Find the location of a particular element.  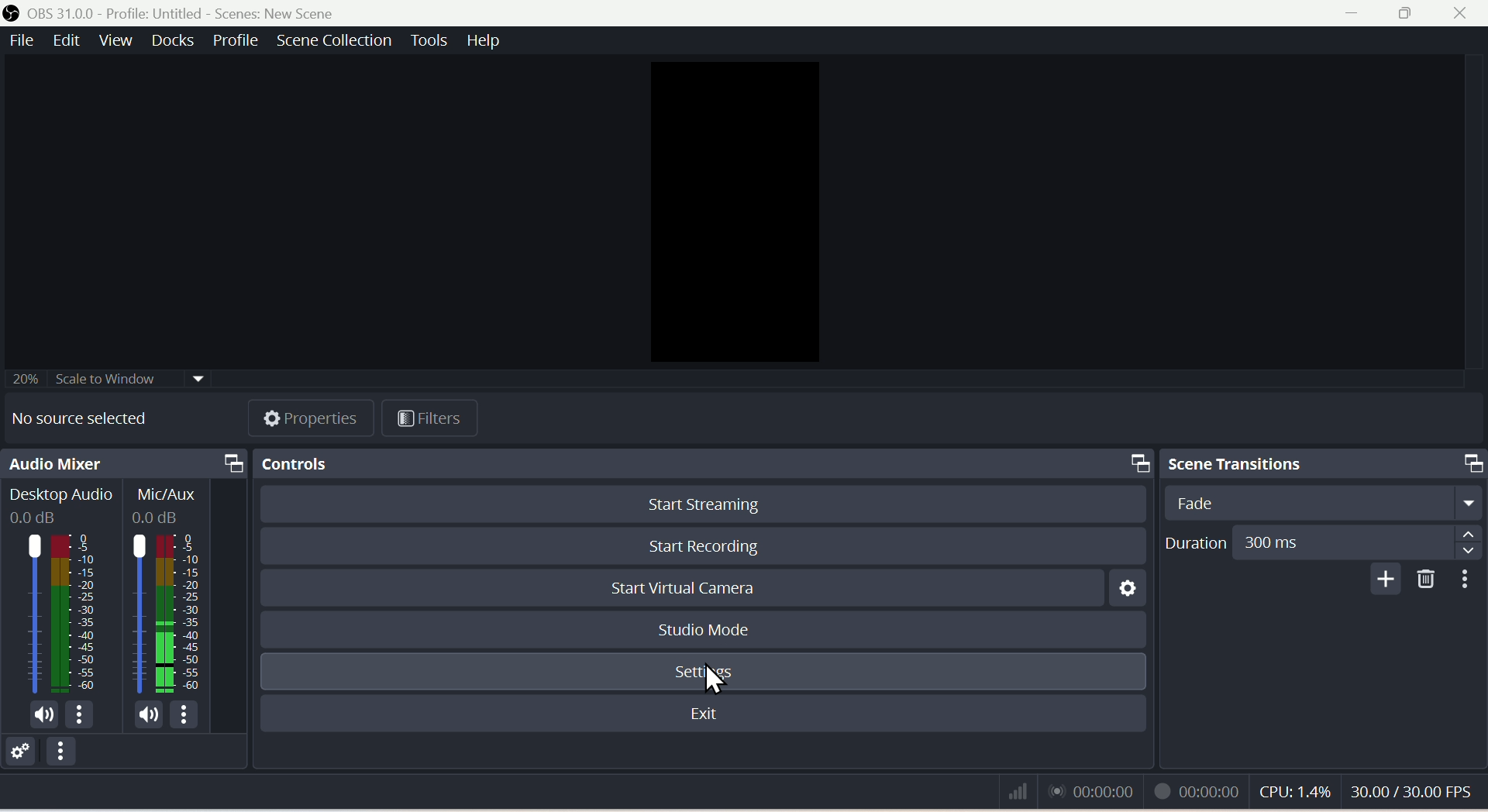

Audio bar is located at coordinates (124, 602).